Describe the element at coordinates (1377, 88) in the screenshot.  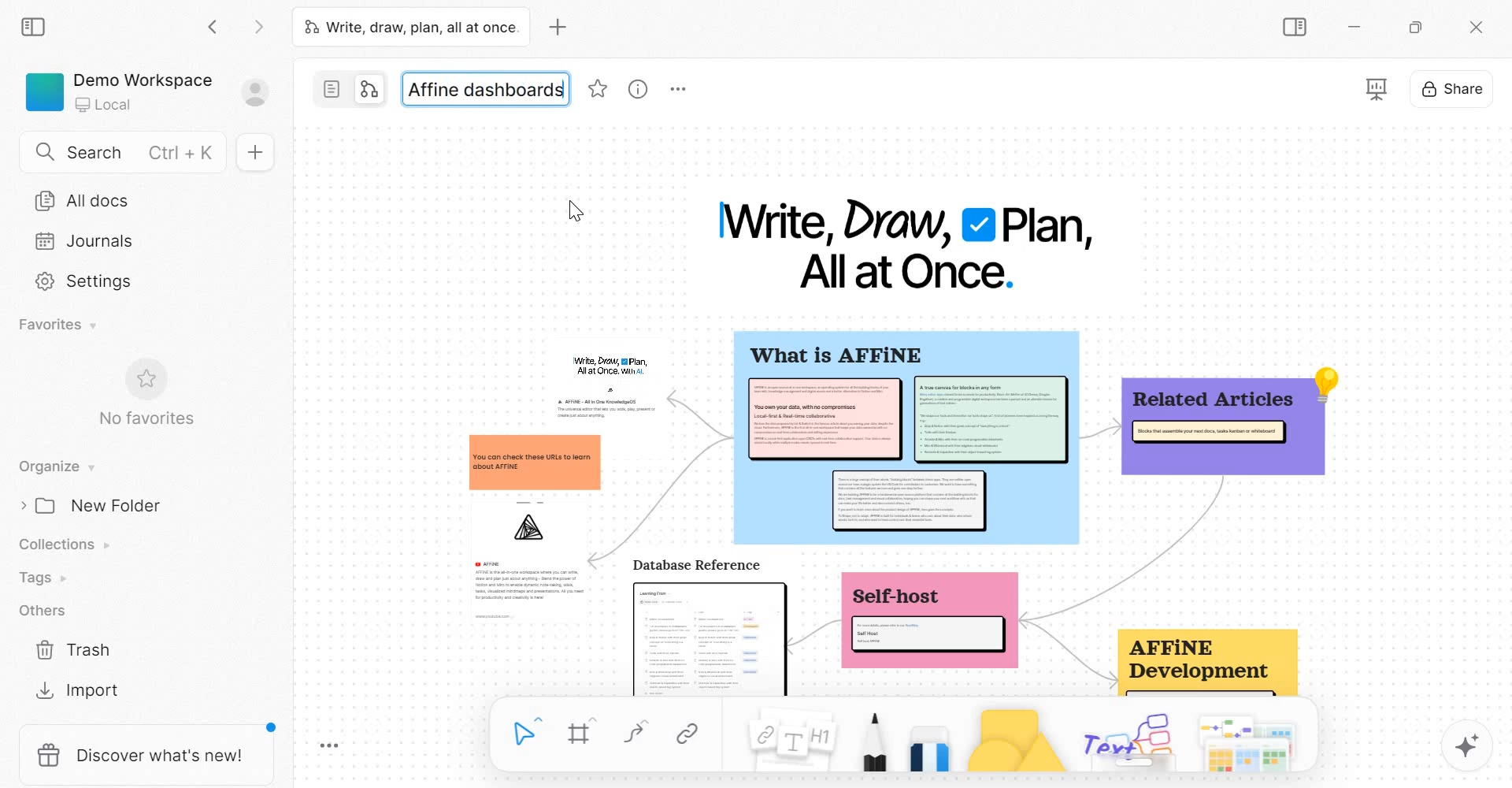
I see `presentation mode` at that location.